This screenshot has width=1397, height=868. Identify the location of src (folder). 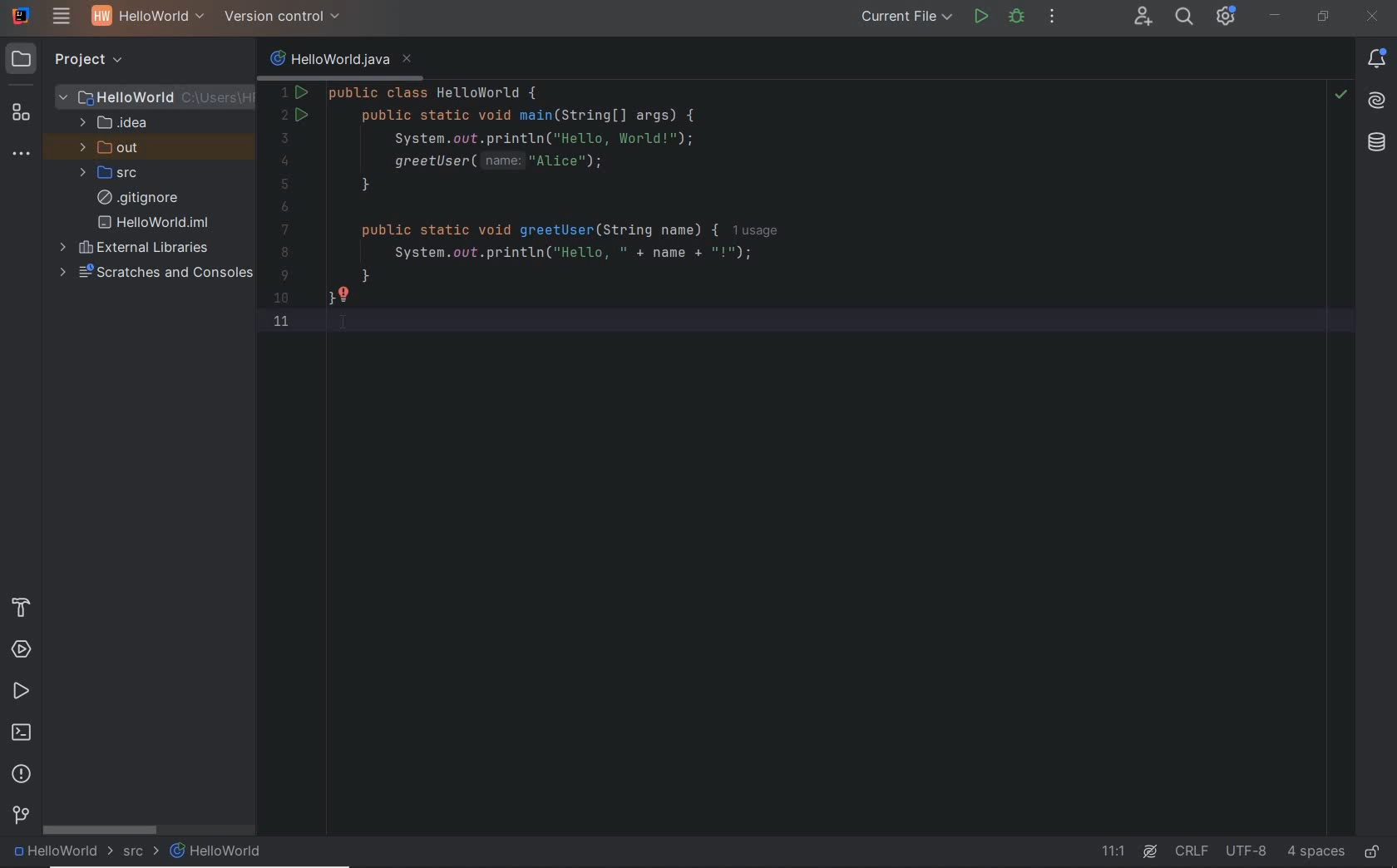
(111, 173).